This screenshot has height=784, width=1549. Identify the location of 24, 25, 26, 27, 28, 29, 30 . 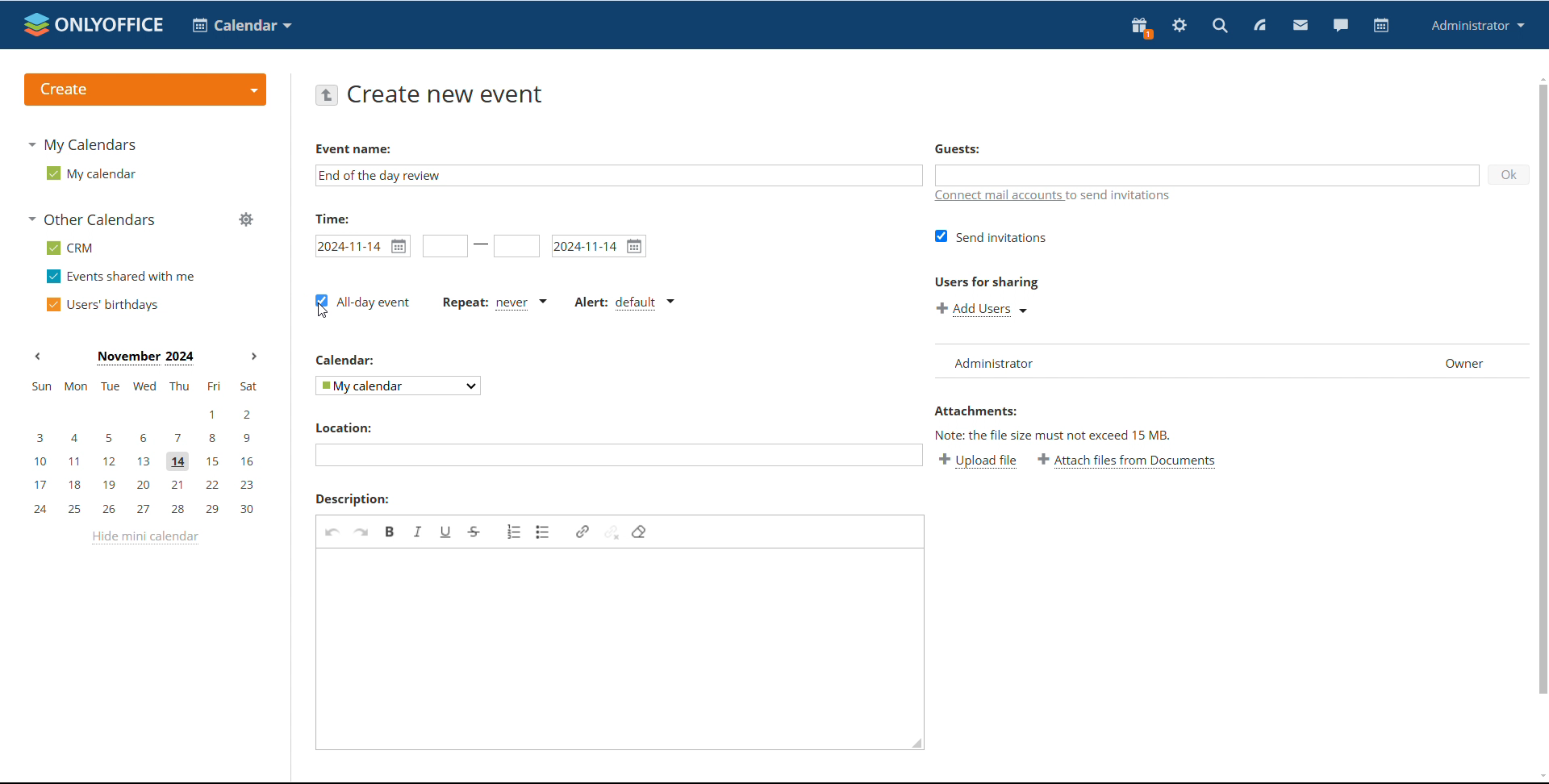
(148, 510).